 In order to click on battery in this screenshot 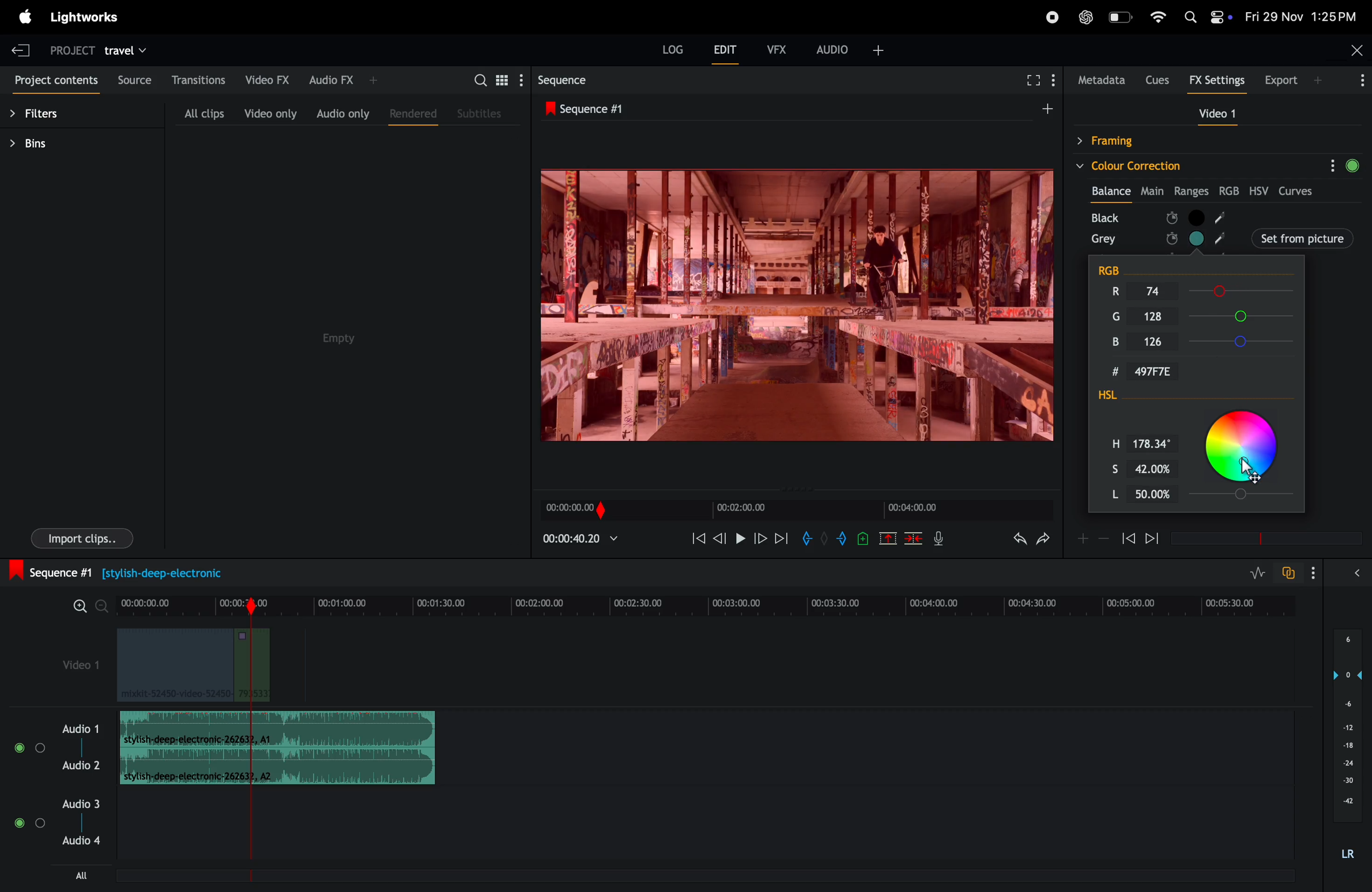, I will do `click(1121, 17)`.